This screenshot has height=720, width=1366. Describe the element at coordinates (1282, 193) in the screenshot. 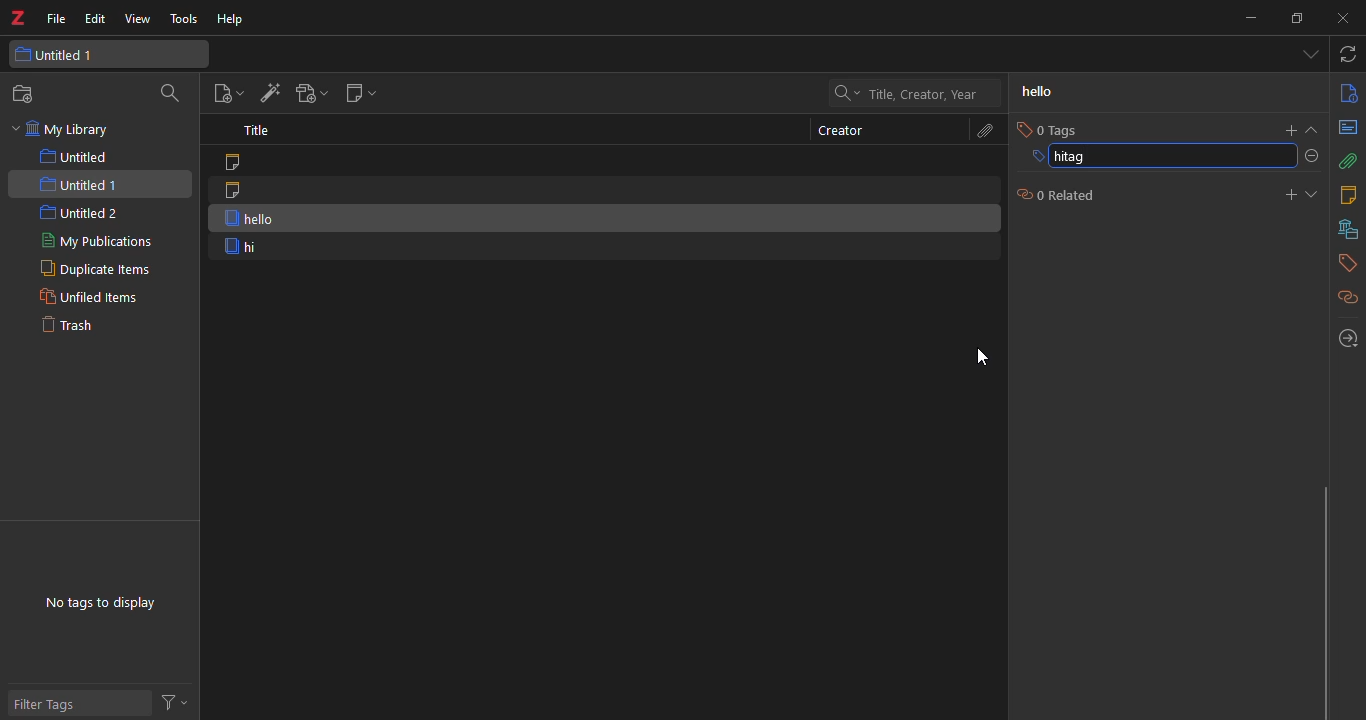

I see `add` at that location.